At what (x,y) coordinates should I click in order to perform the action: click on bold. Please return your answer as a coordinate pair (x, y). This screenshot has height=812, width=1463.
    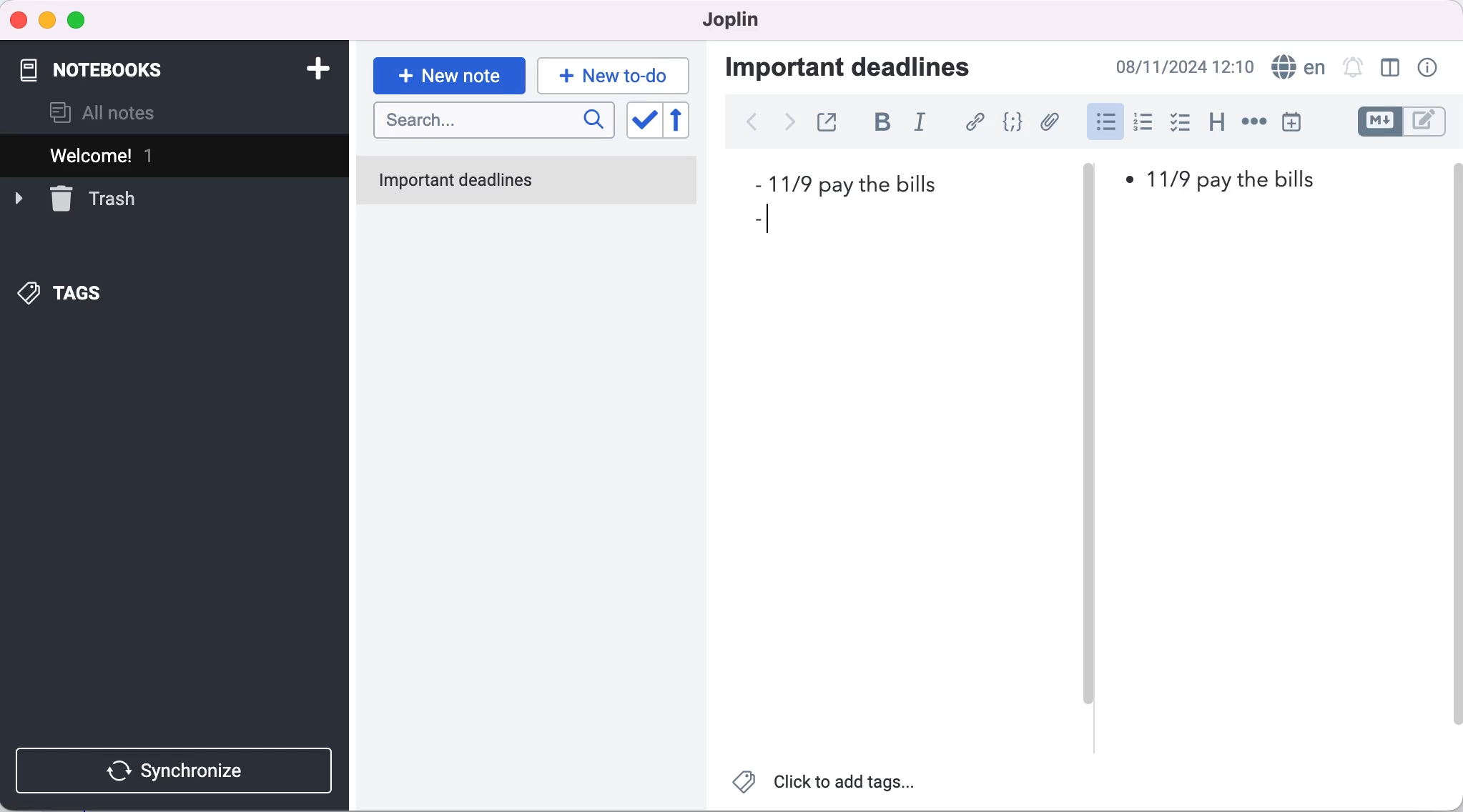
    Looking at the image, I should click on (876, 124).